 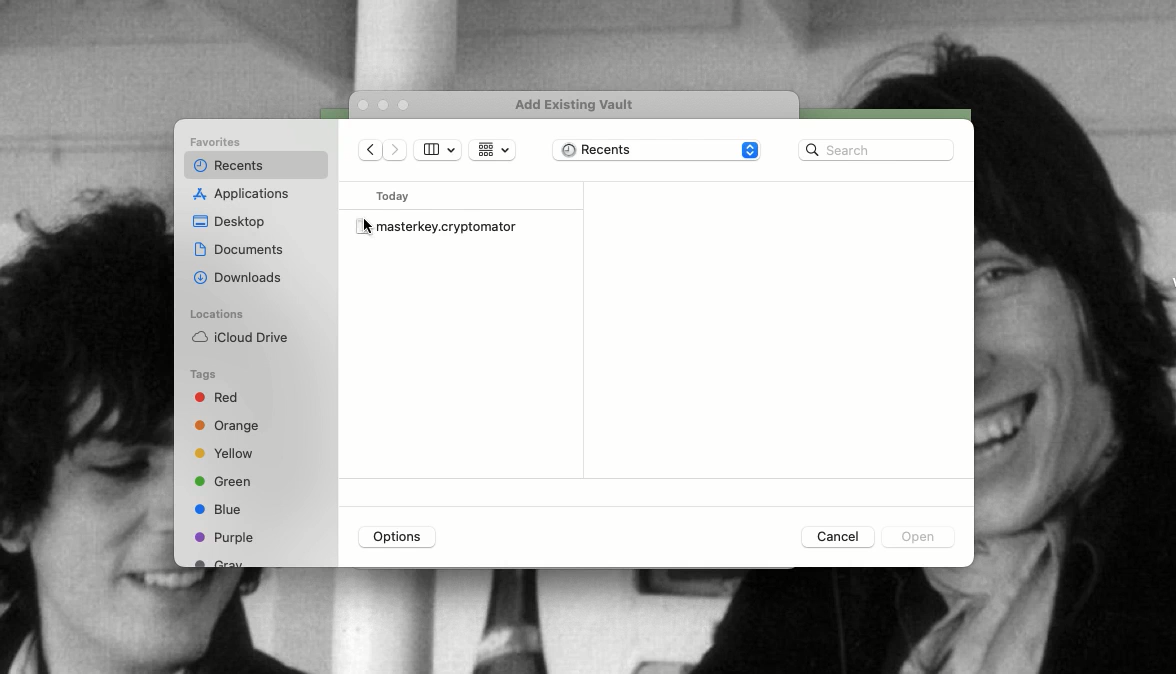 What do you see at coordinates (438, 150) in the screenshot?
I see `View format` at bounding box center [438, 150].